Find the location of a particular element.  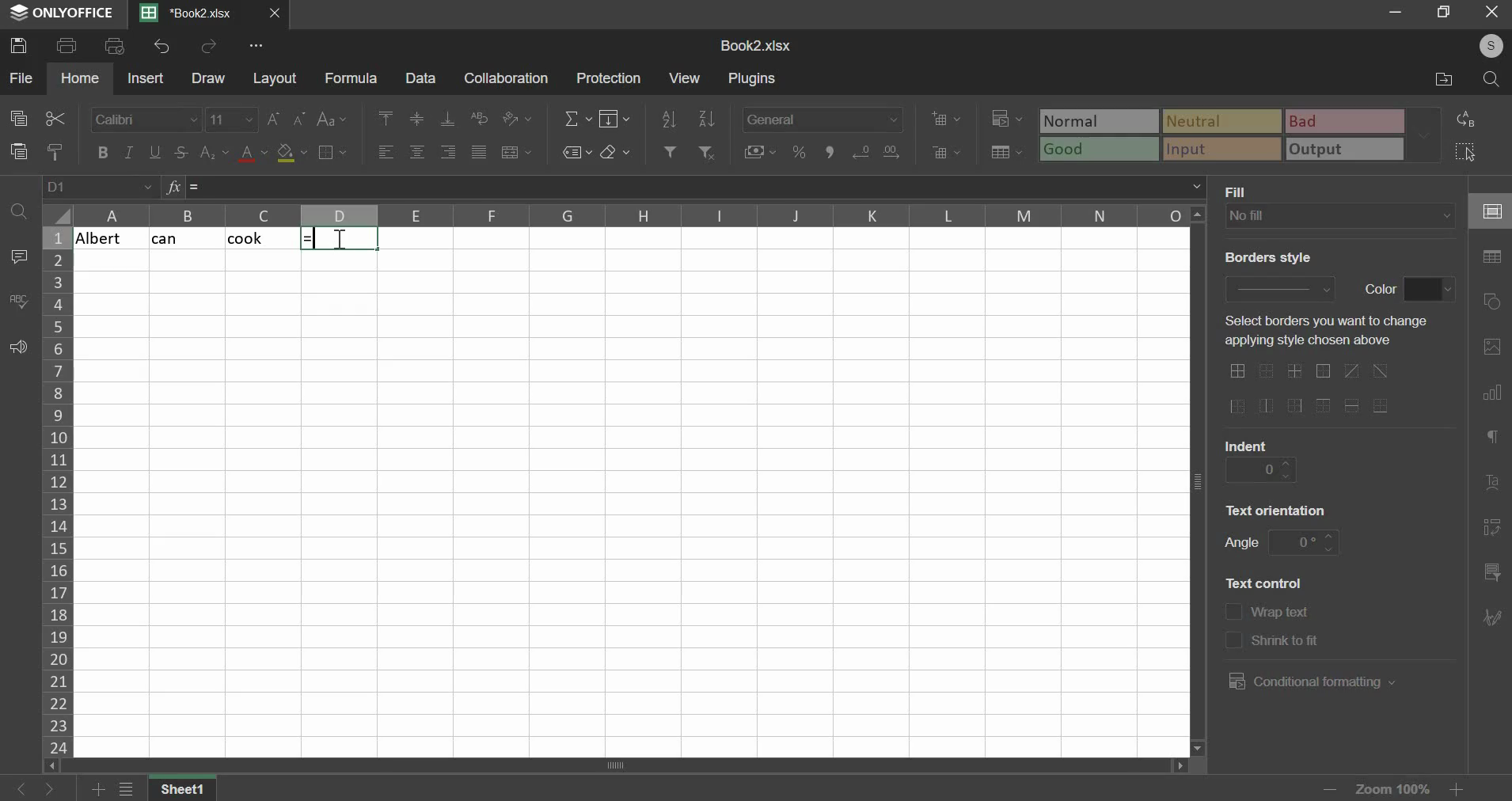

conditional formatting is located at coordinates (1005, 120).